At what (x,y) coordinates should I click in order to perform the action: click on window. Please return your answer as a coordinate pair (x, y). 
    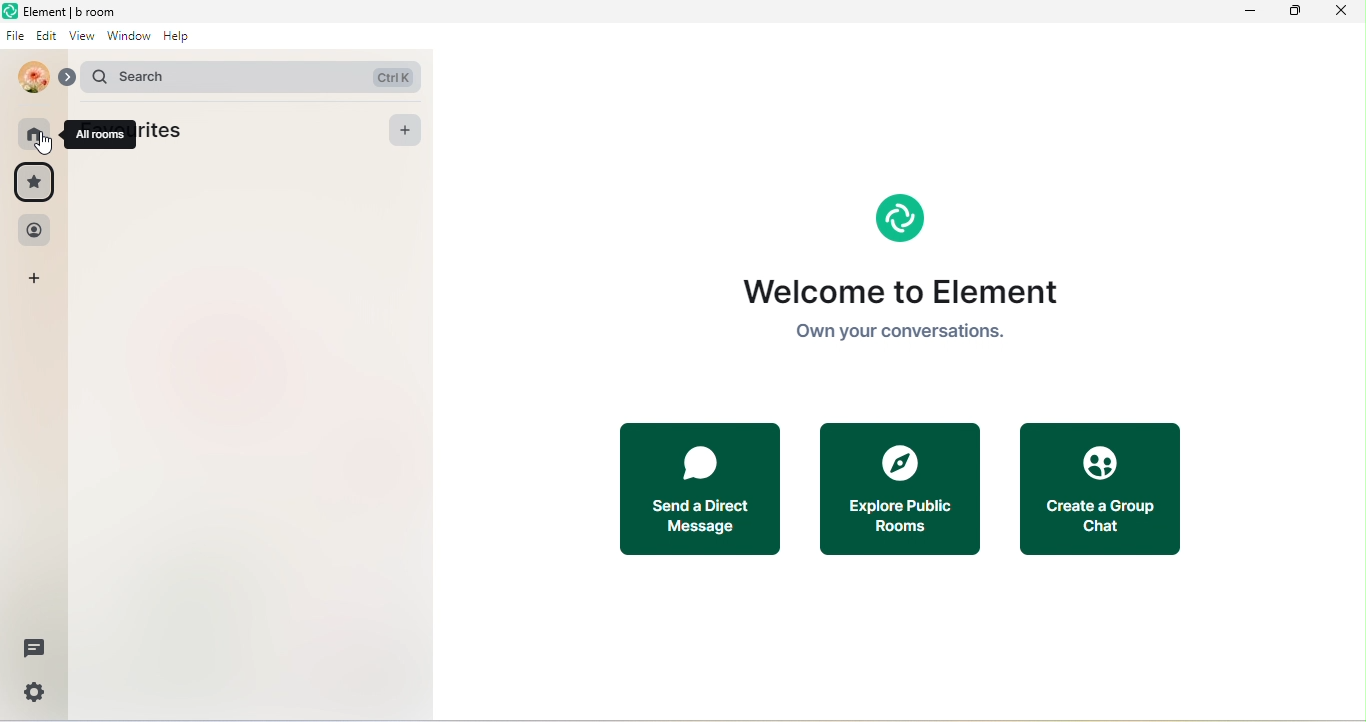
    Looking at the image, I should click on (128, 41).